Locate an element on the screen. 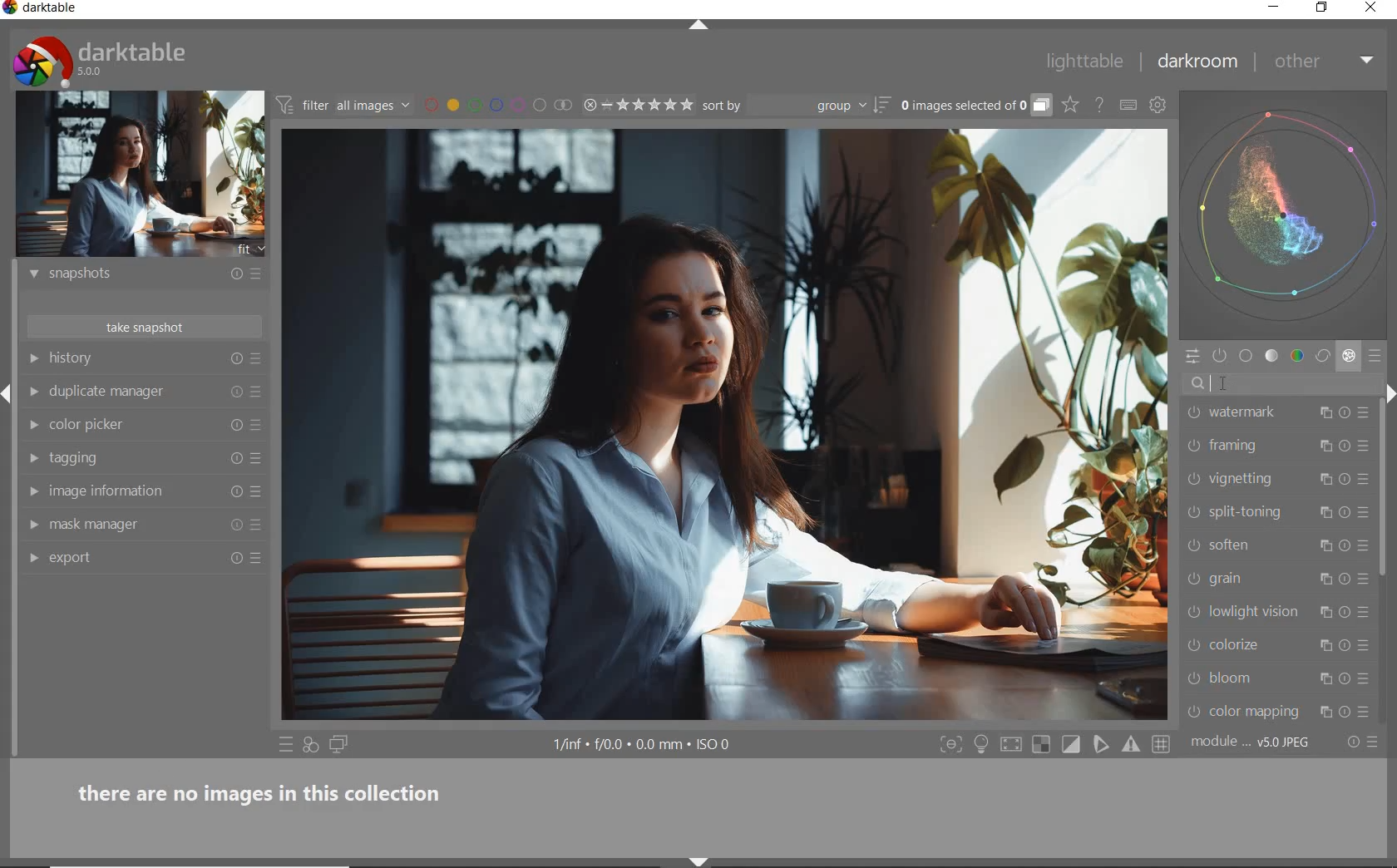 This screenshot has width=1397, height=868. multiple instance actions is located at coordinates (1321, 648).